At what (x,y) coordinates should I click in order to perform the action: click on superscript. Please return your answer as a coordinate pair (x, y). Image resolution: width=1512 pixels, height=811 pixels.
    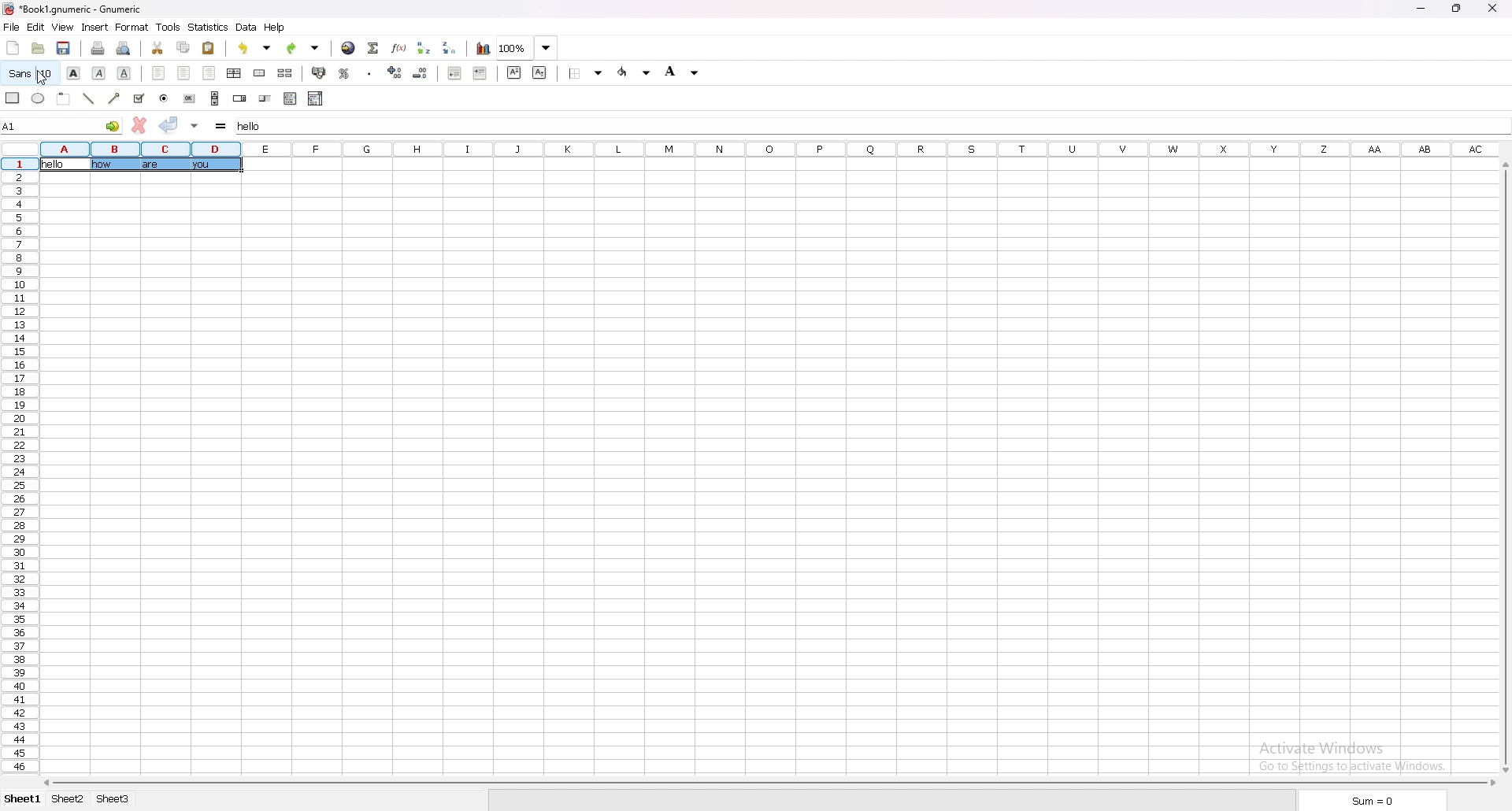
    Looking at the image, I should click on (513, 72).